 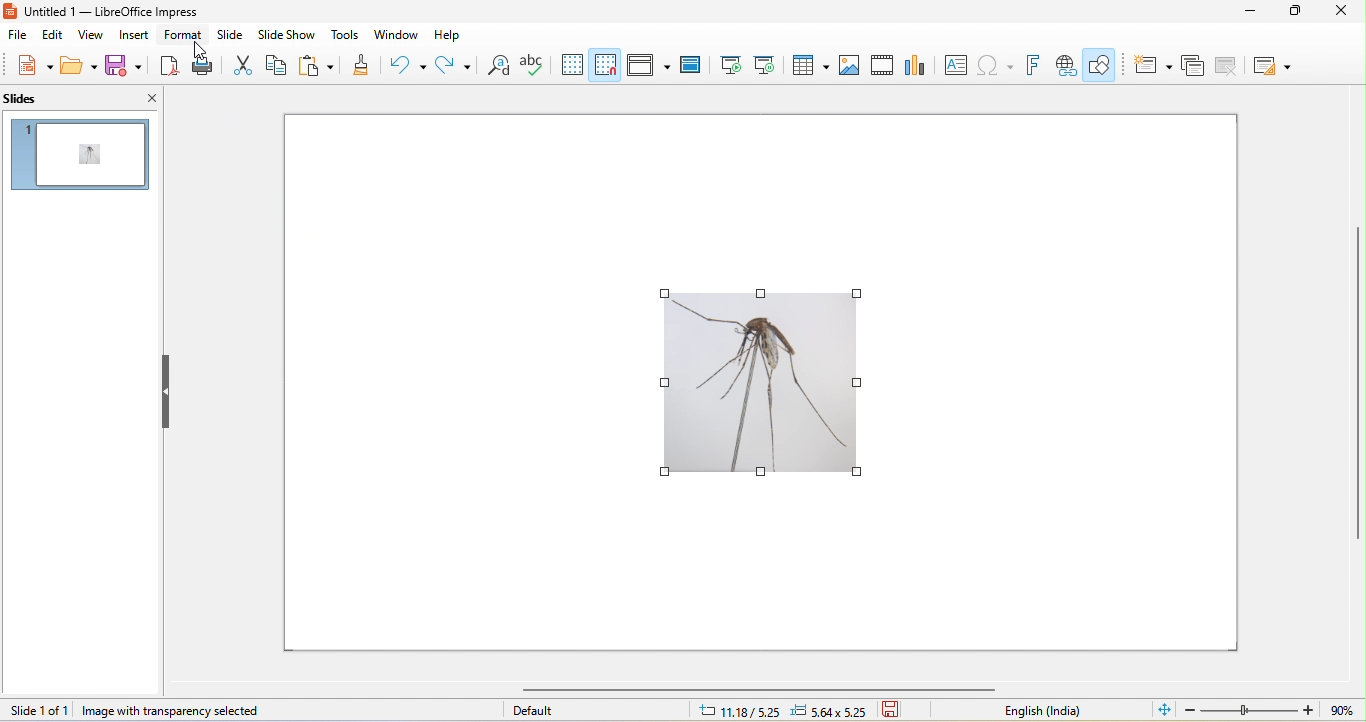 I want to click on close, so click(x=1346, y=12).